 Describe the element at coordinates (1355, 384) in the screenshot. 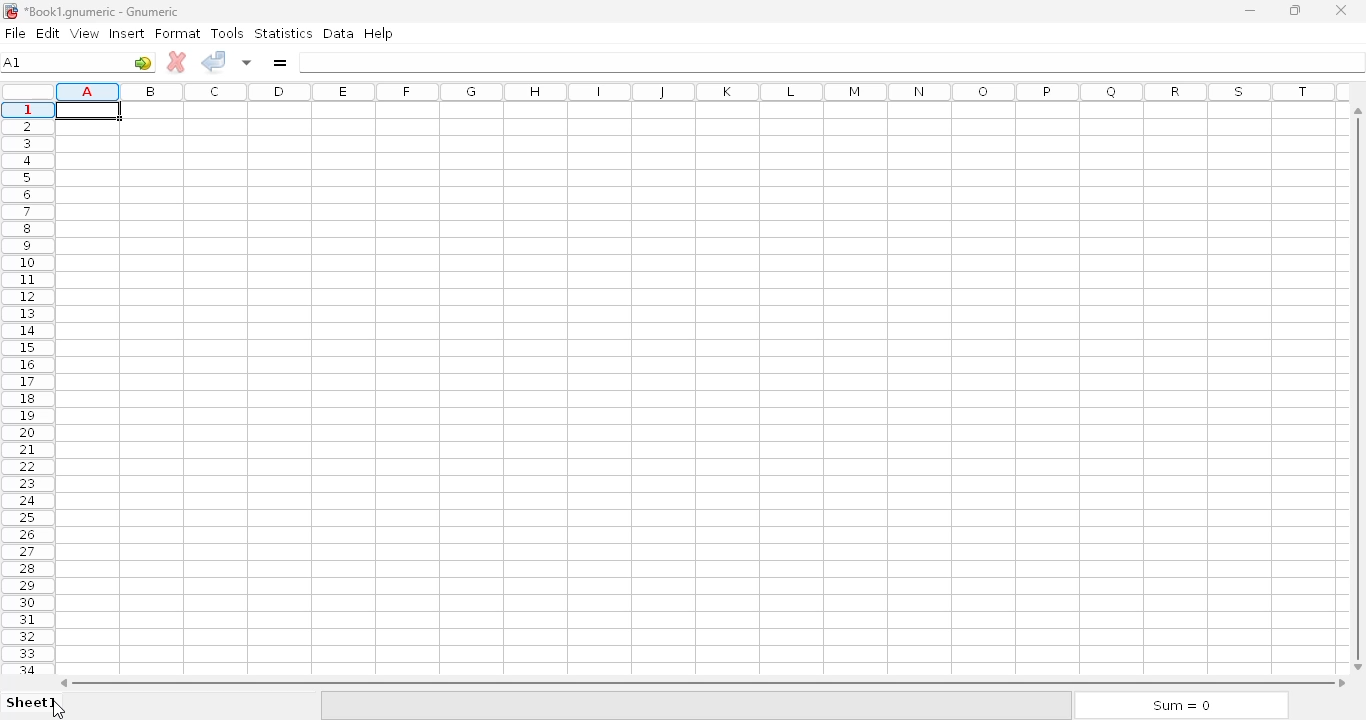

I see `vertical scroll bar` at that location.